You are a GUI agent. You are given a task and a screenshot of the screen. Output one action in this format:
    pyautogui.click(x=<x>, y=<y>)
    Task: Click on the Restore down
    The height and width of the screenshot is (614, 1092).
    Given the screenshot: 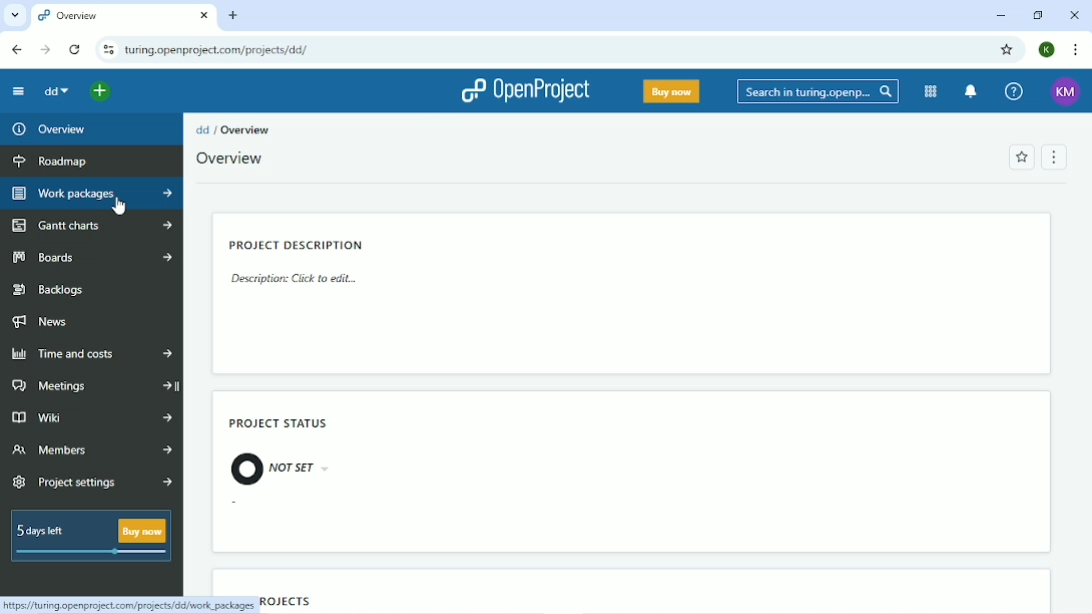 What is the action you would take?
    pyautogui.click(x=1041, y=16)
    